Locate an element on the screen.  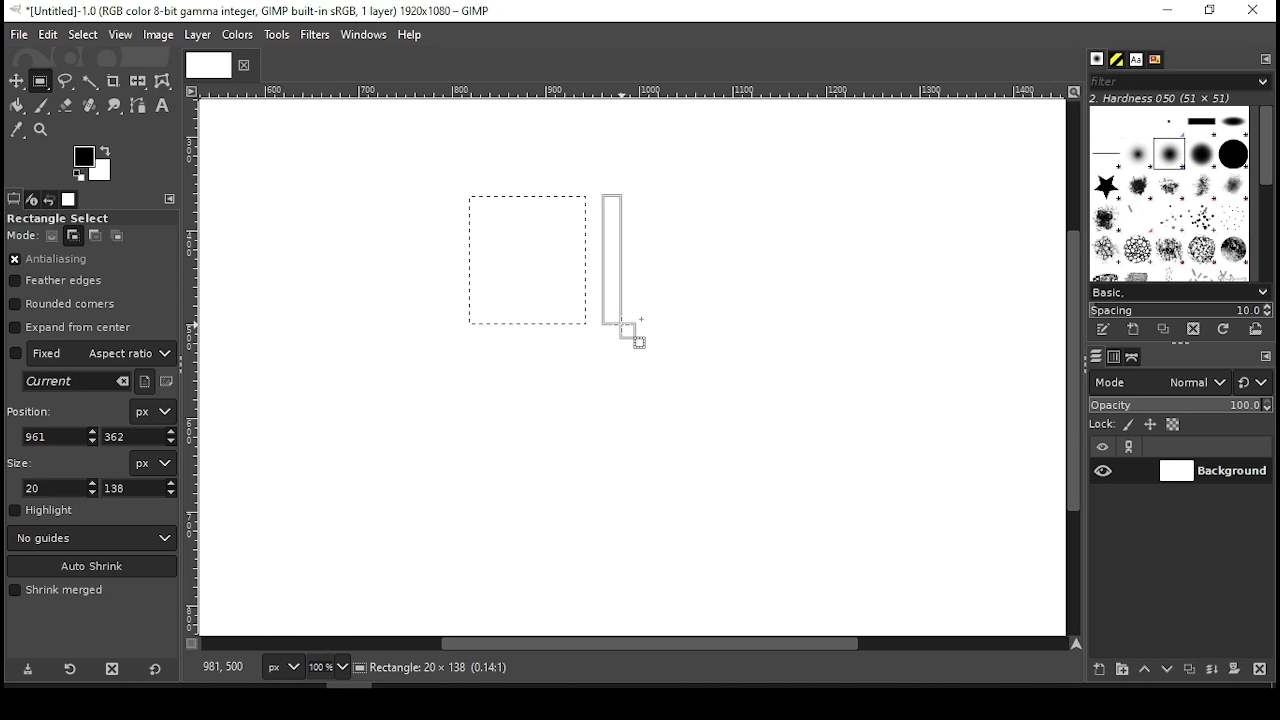
selection tool is located at coordinates (17, 81).